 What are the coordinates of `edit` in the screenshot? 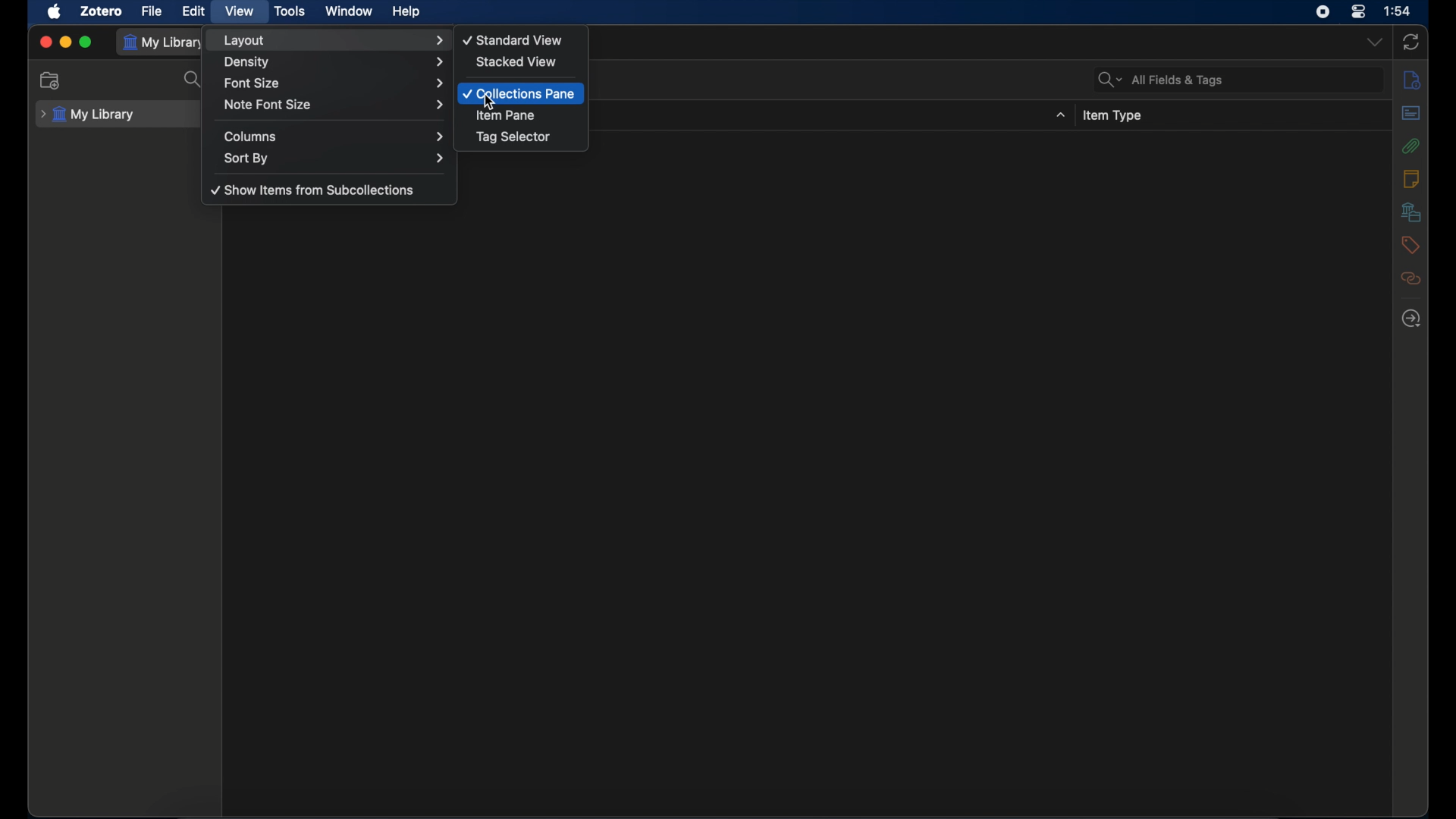 It's located at (194, 11).